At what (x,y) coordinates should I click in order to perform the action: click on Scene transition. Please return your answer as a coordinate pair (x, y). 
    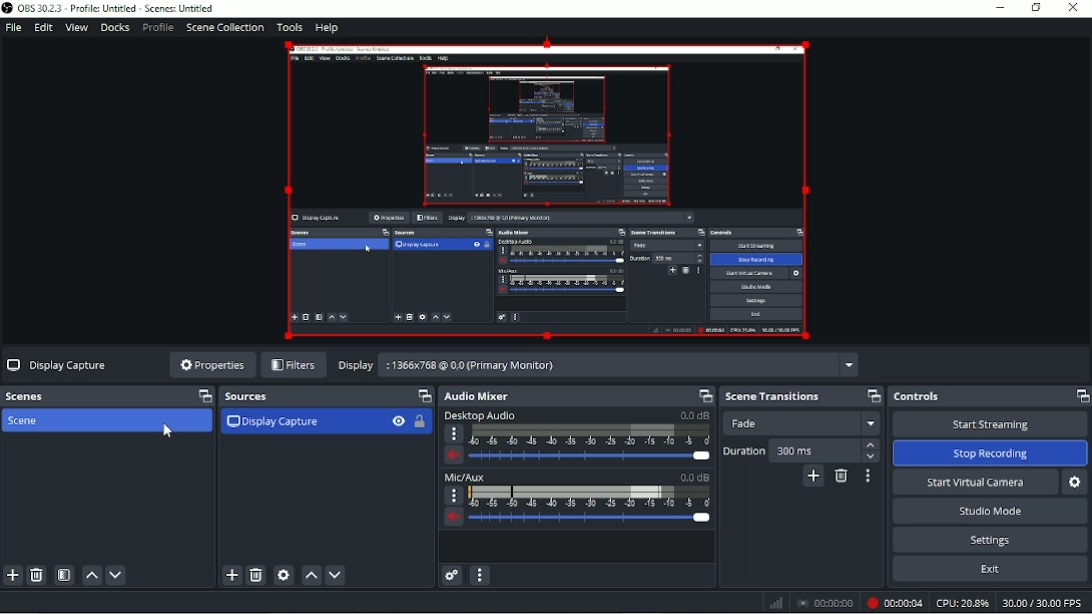
    Looking at the image, I should click on (772, 397).